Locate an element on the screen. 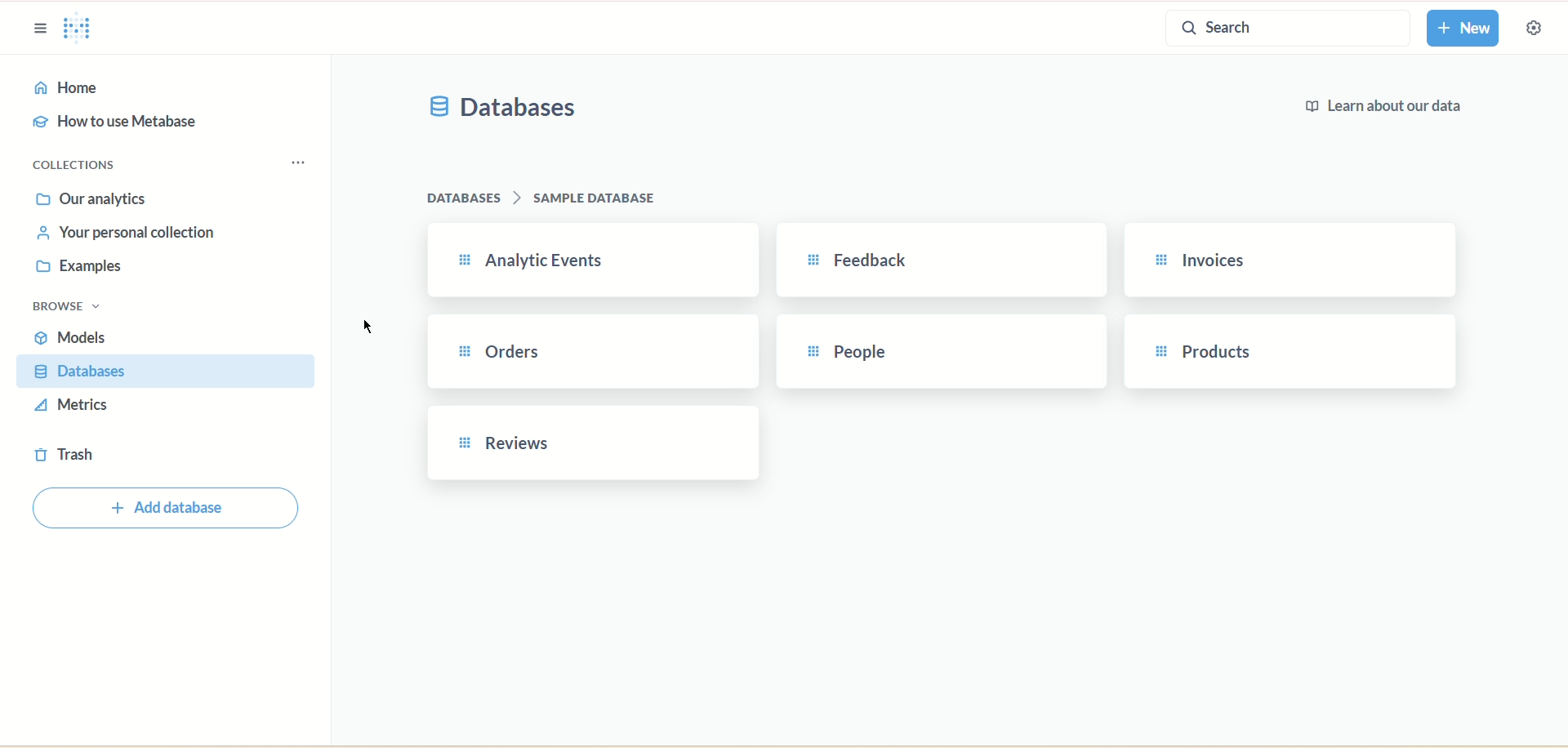  metrics is located at coordinates (74, 404).